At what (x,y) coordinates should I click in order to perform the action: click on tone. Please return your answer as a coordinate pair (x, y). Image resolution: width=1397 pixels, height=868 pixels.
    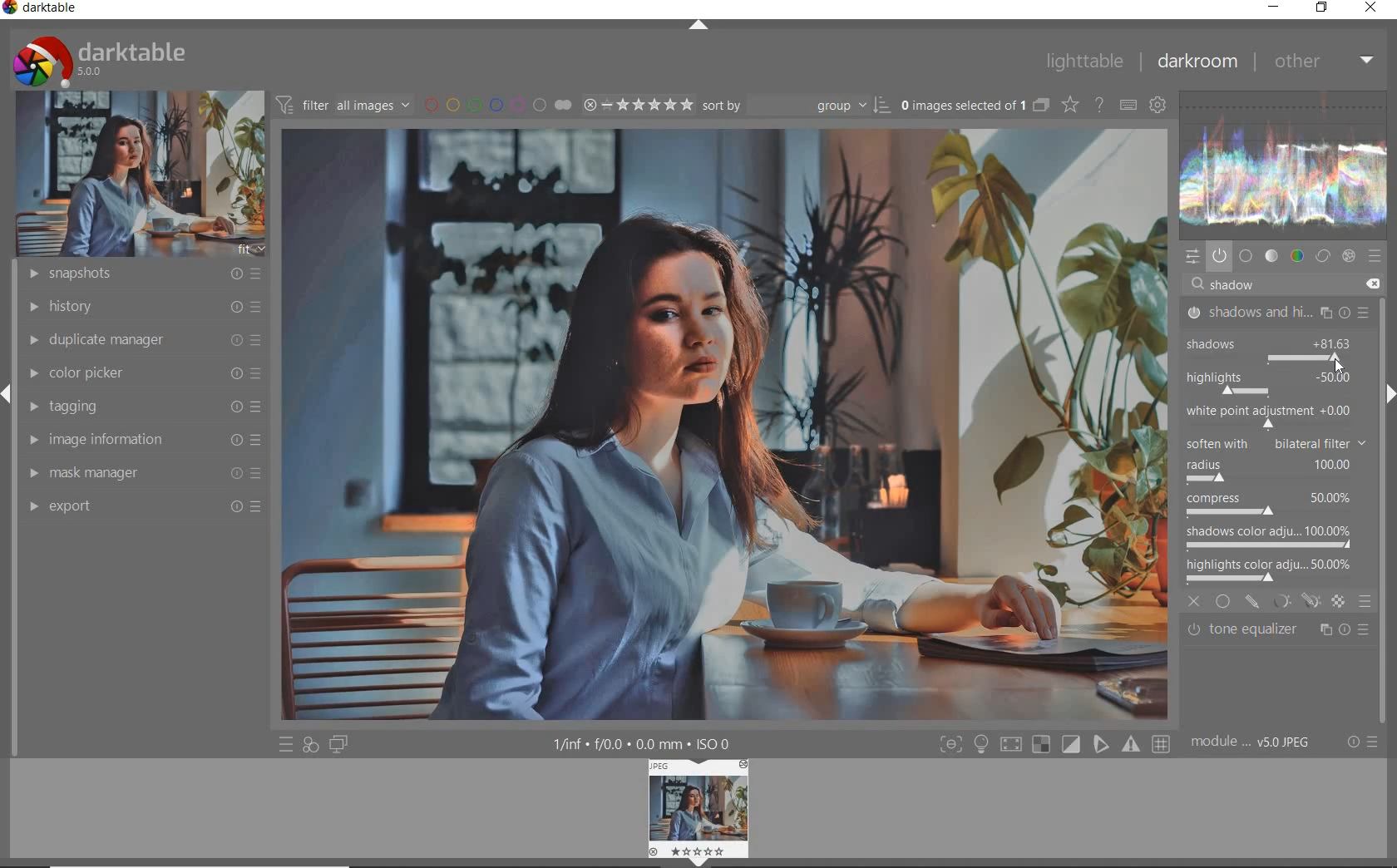
    Looking at the image, I should click on (1271, 255).